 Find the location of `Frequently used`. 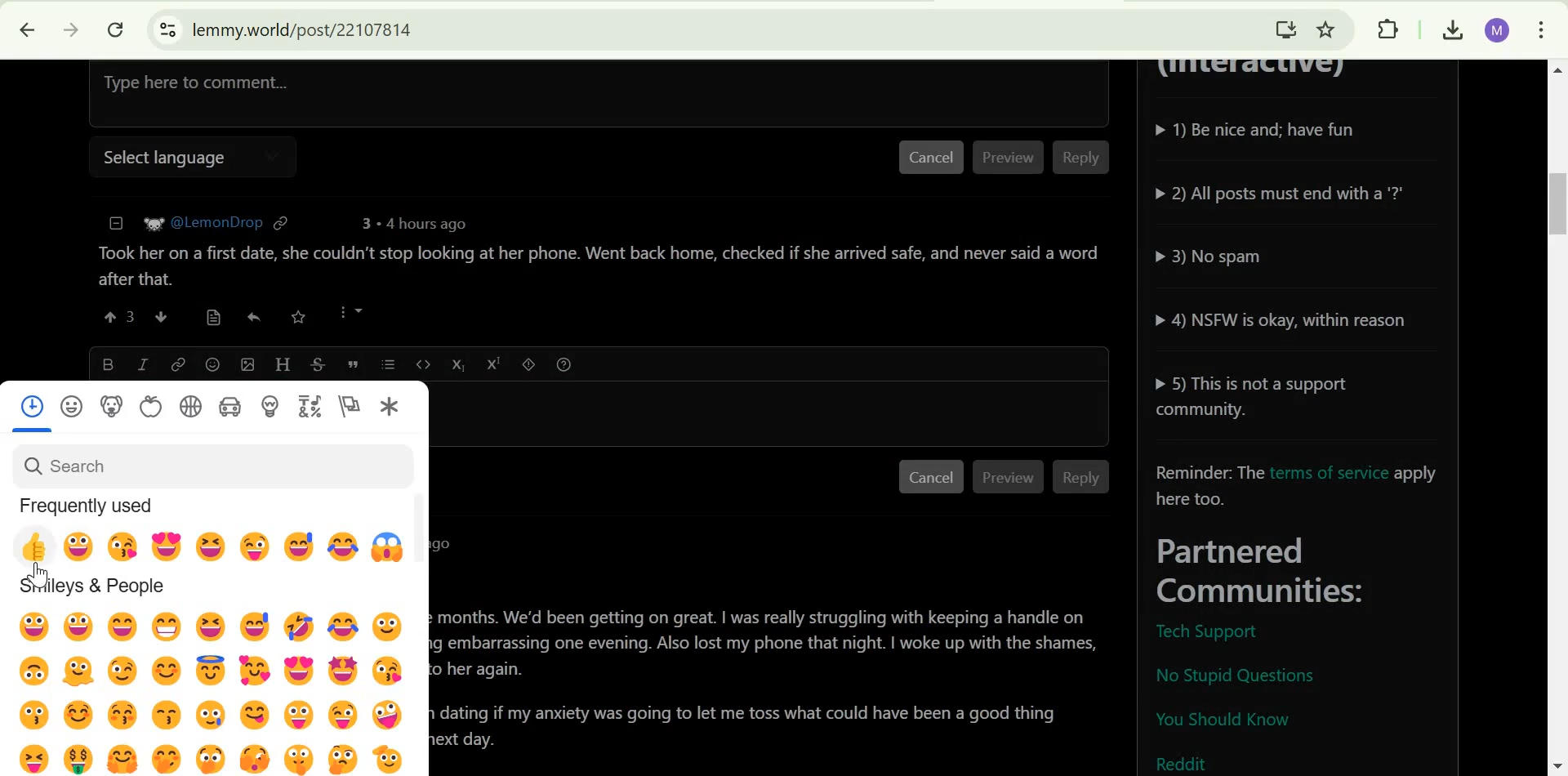

Frequently used is located at coordinates (87, 505).